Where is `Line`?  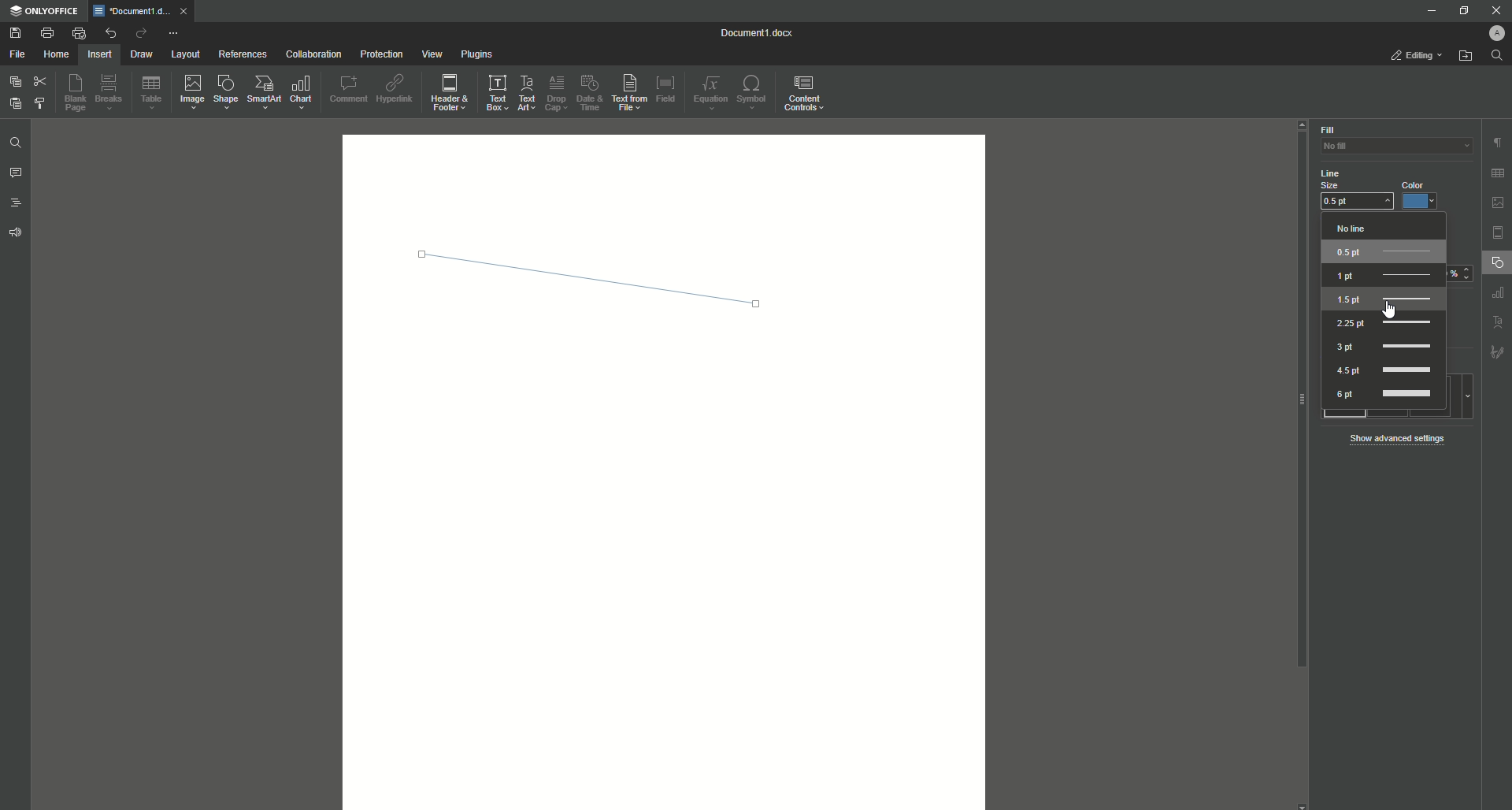 Line is located at coordinates (576, 272).